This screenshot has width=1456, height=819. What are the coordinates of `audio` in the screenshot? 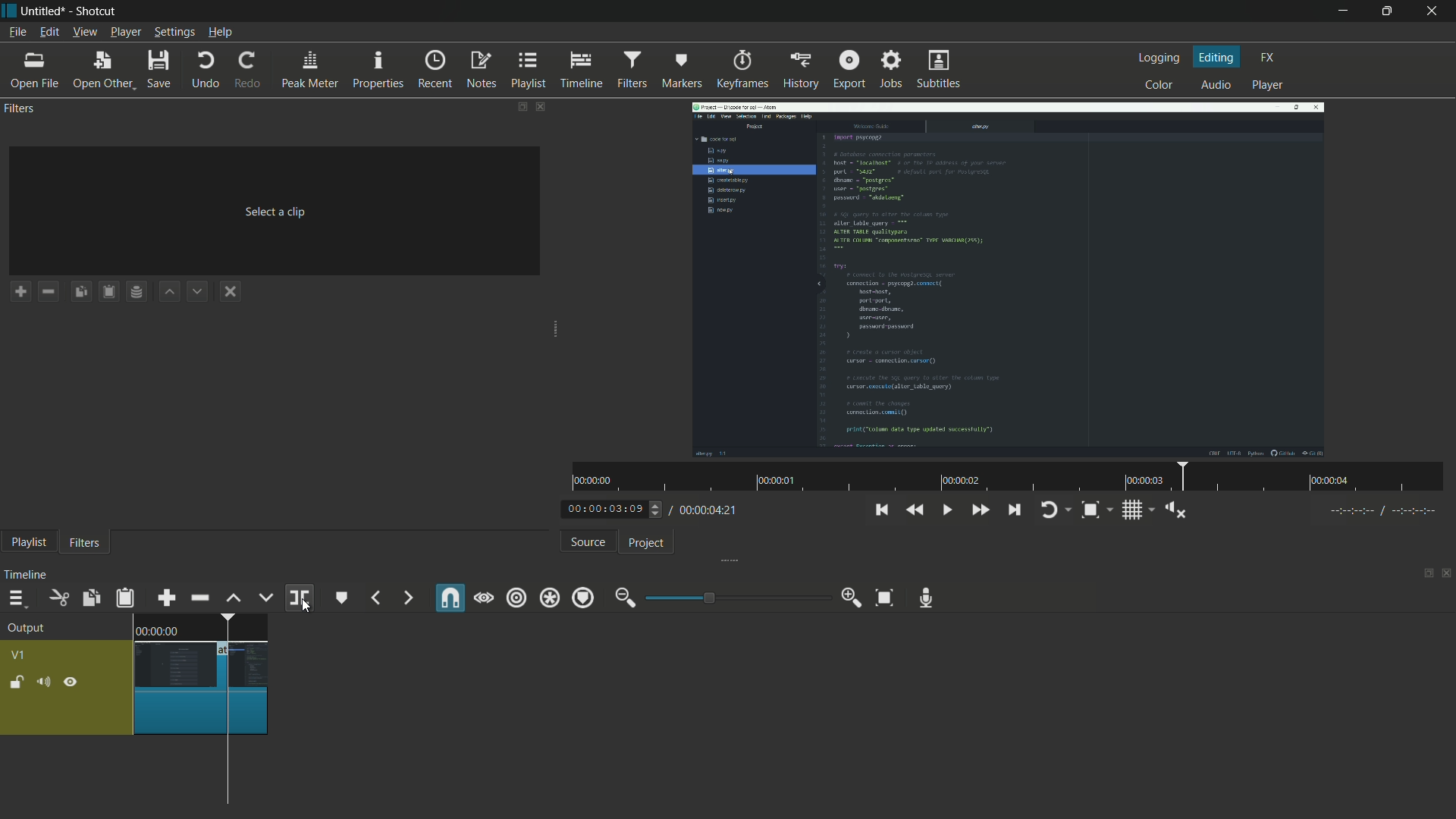 It's located at (1217, 84).